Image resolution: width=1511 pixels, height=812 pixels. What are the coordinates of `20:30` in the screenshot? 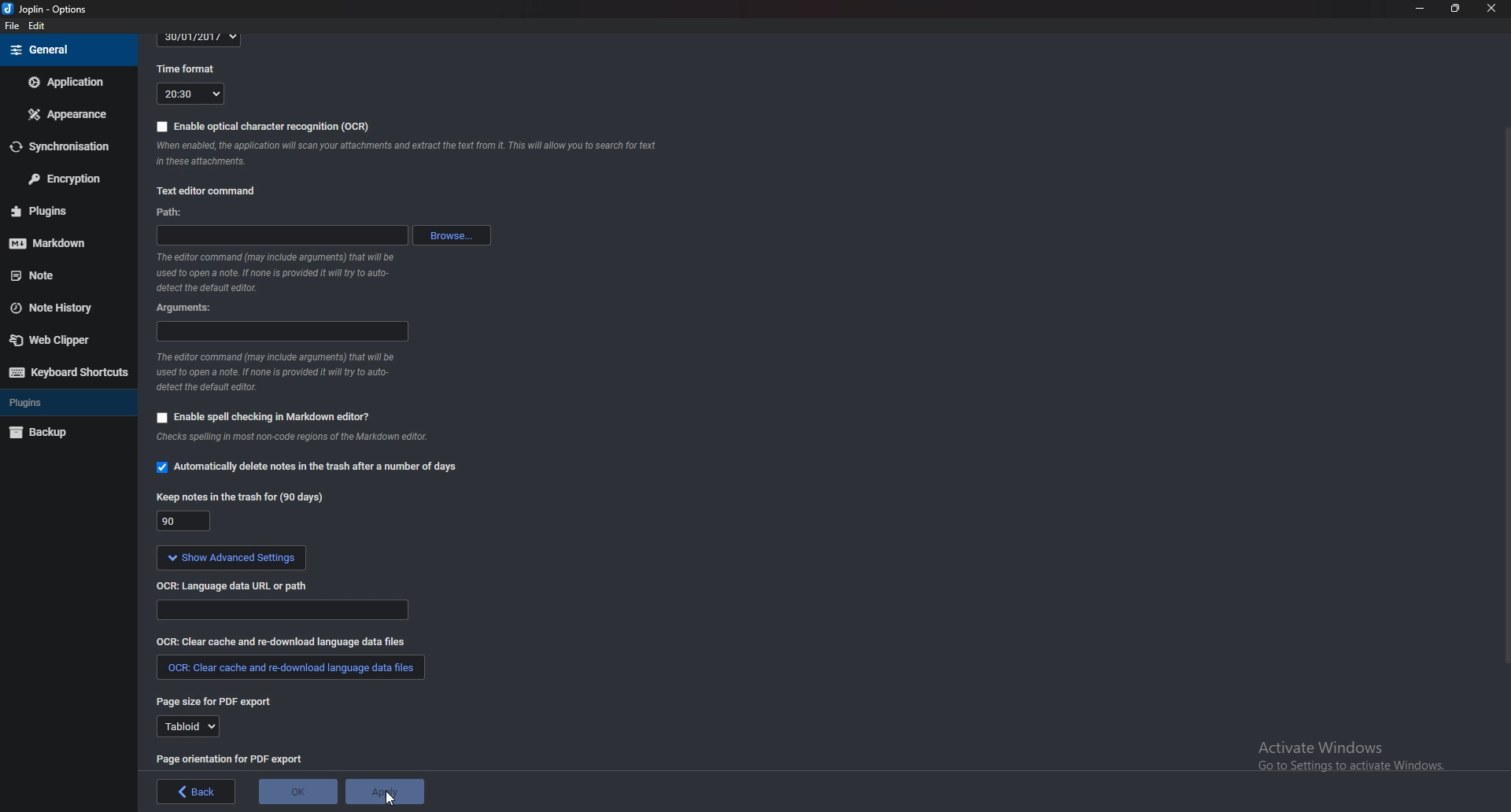 It's located at (190, 94).